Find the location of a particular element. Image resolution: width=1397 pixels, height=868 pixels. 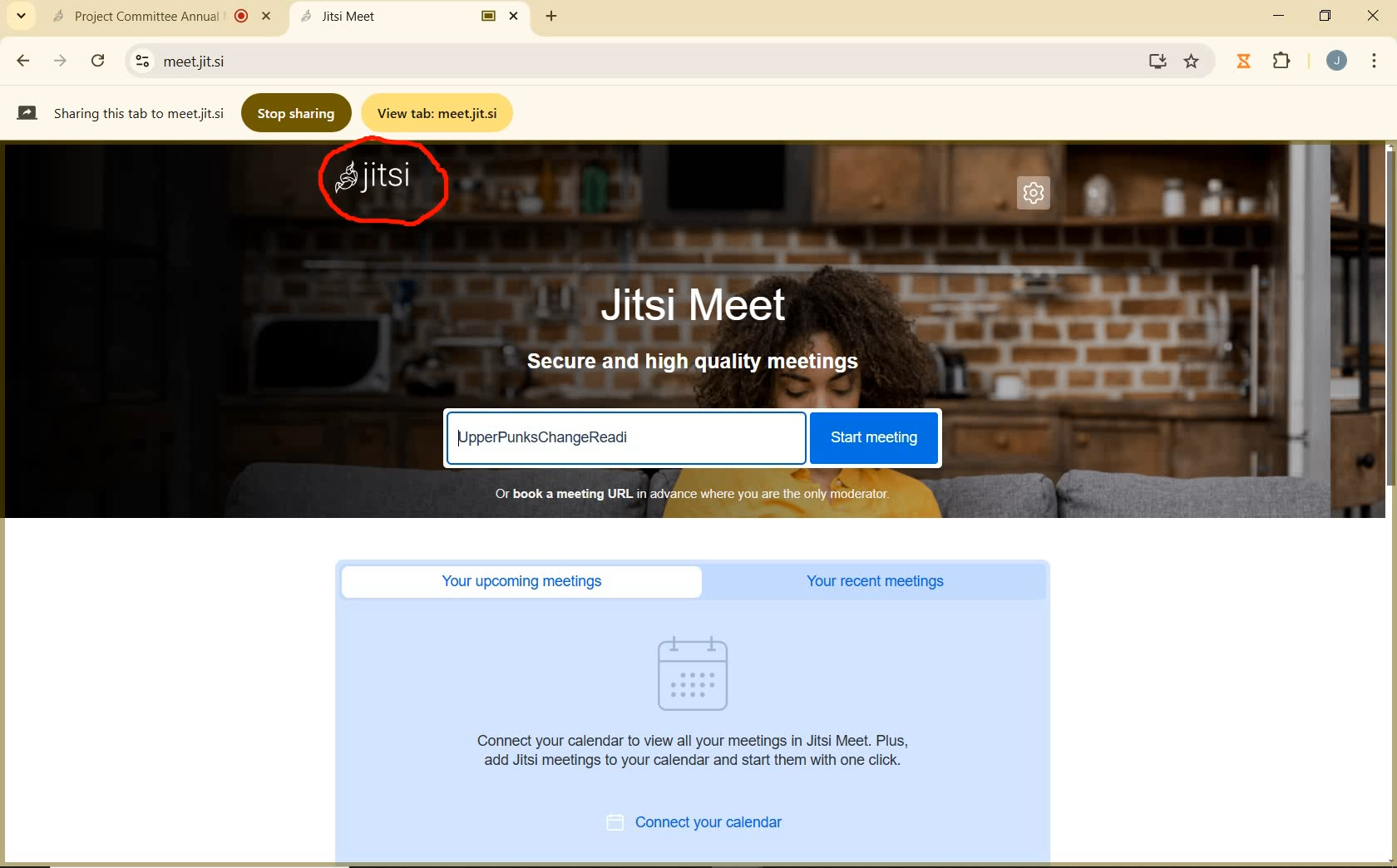

Connect your calendar to view all your meetings in Jitsi Meet. Plus,
add Jitsi meetings to your calendar and start them with one click. is located at coordinates (698, 750).